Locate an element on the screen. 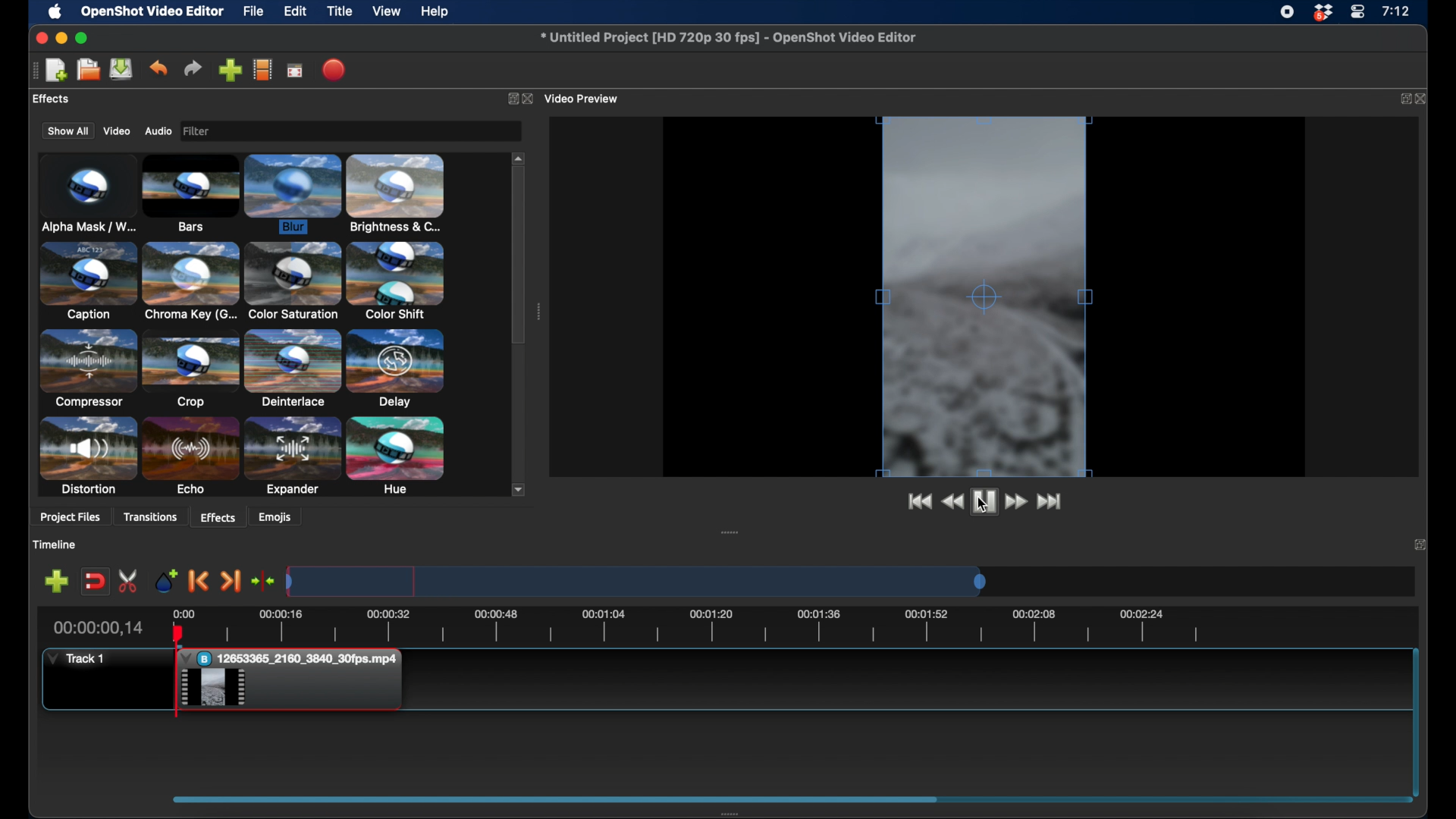 The height and width of the screenshot is (819, 1456). cursor is located at coordinates (983, 507).